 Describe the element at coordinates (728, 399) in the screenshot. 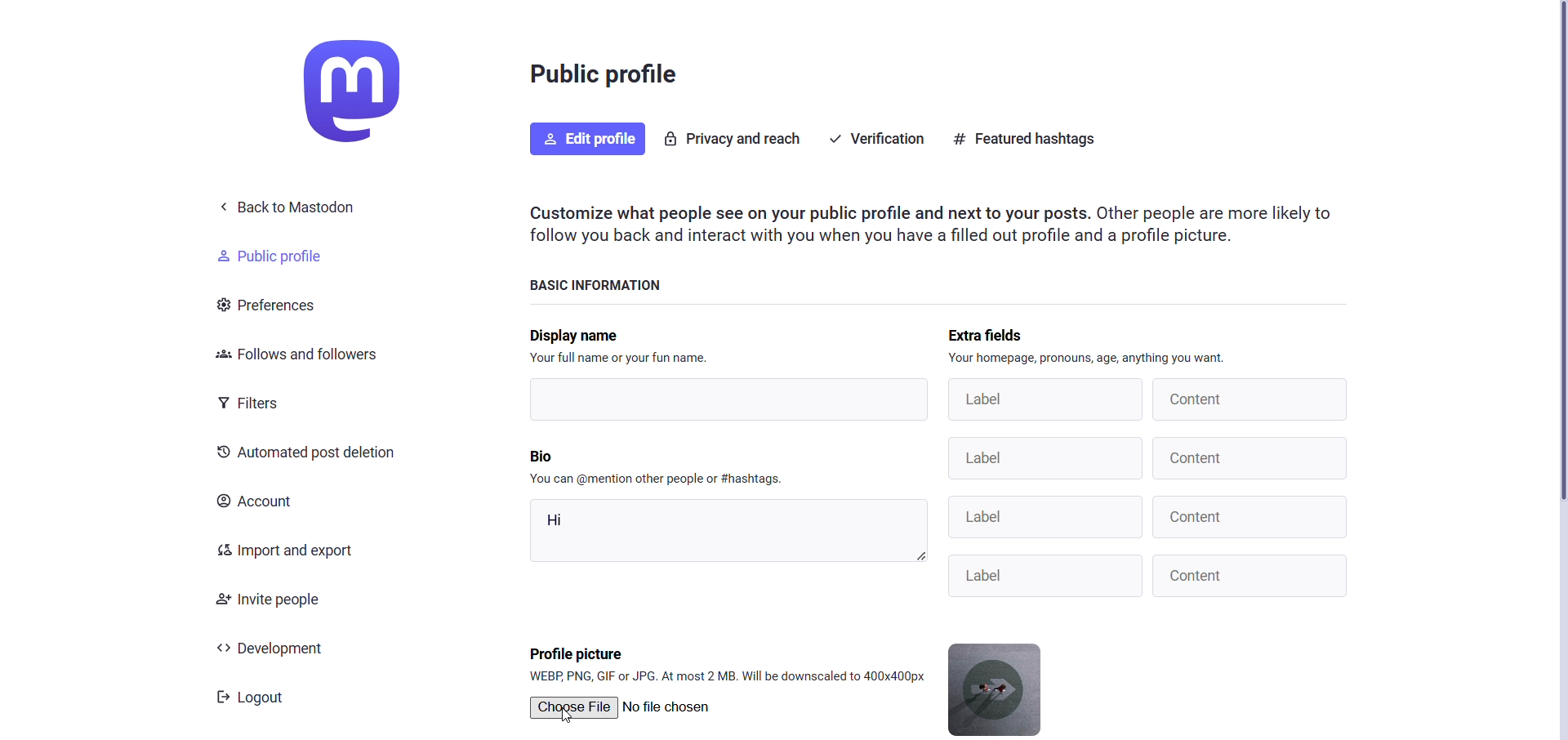

I see `writing area` at that location.